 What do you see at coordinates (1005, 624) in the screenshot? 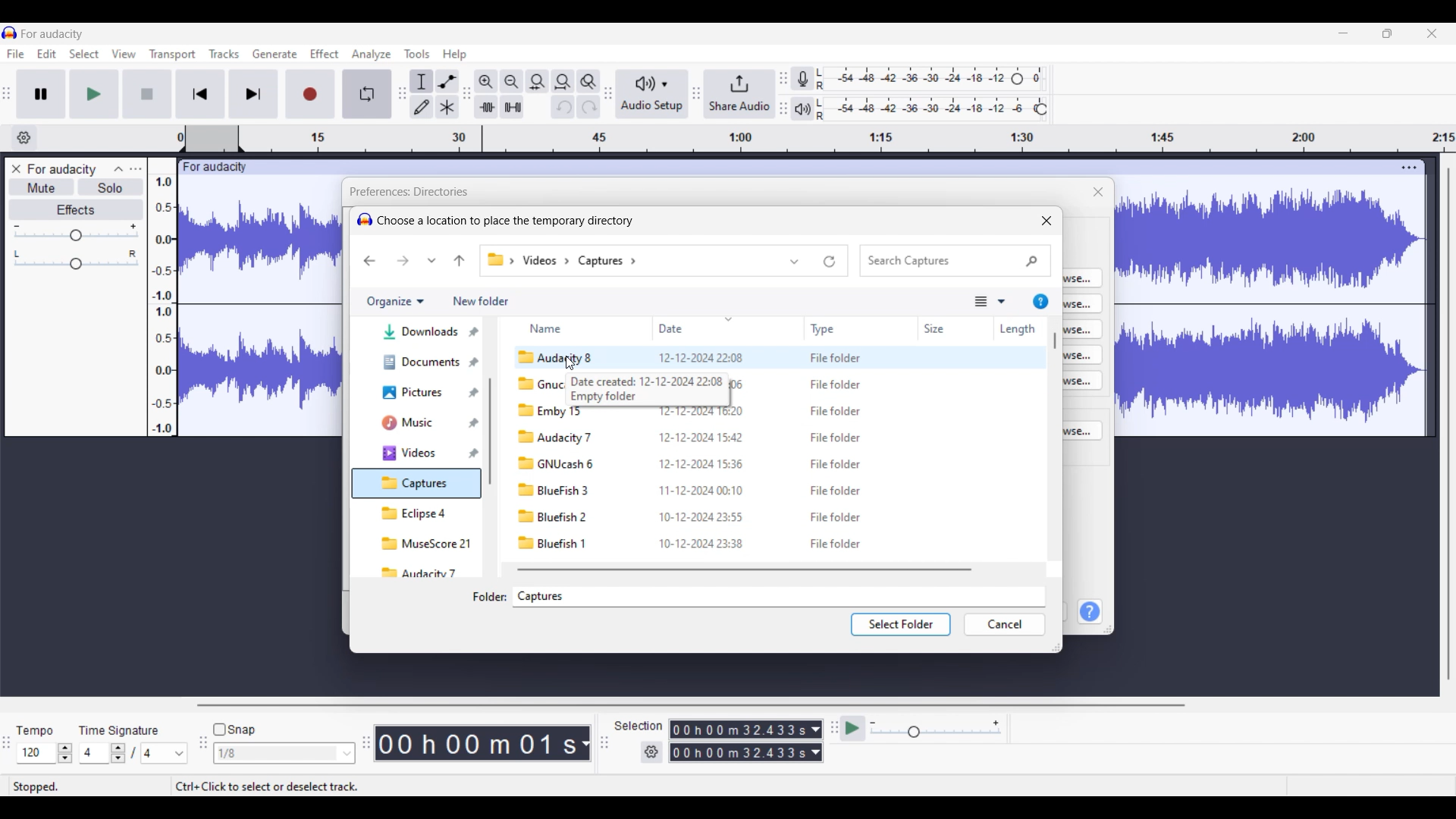
I see `Cancel` at bounding box center [1005, 624].